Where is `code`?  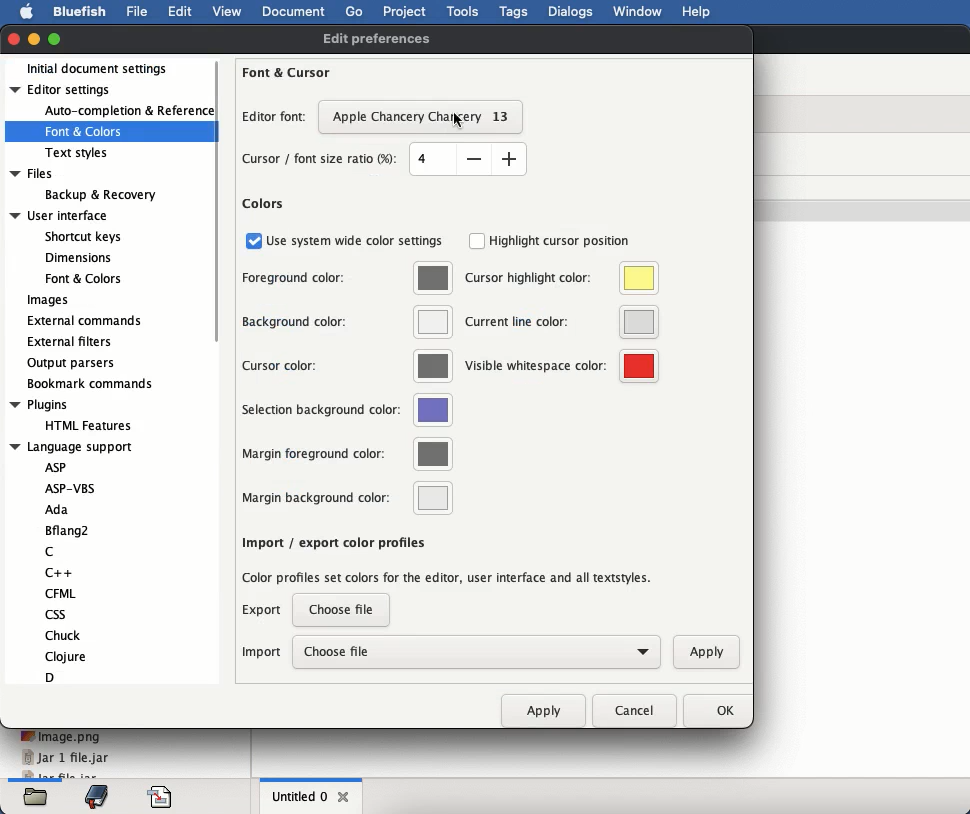 code is located at coordinates (162, 797).